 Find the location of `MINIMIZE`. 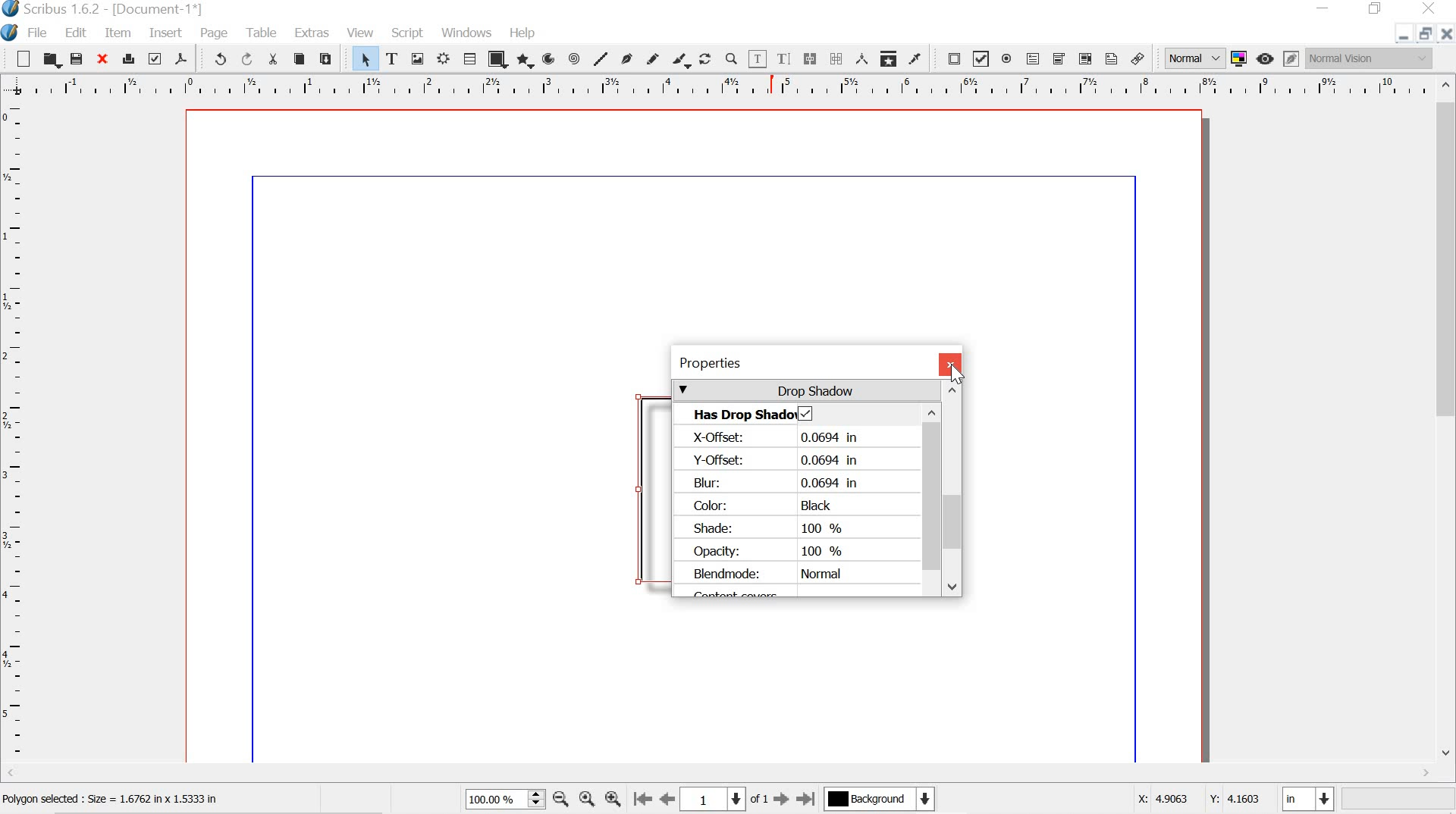

MINIMIZE is located at coordinates (1398, 39).